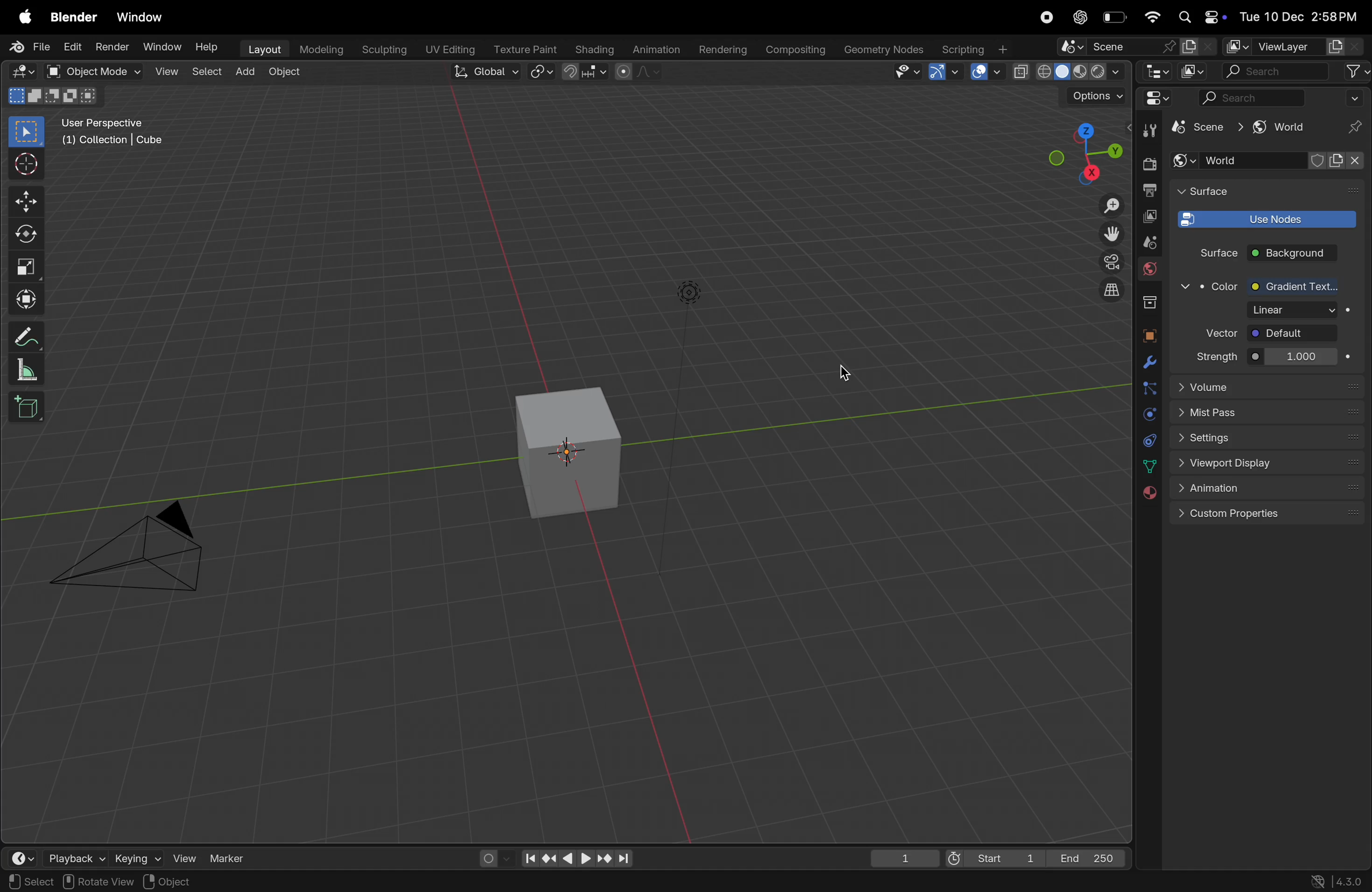 The width and height of the screenshot is (1372, 892). What do you see at coordinates (1273, 511) in the screenshot?
I see `custom properties` at bounding box center [1273, 511].